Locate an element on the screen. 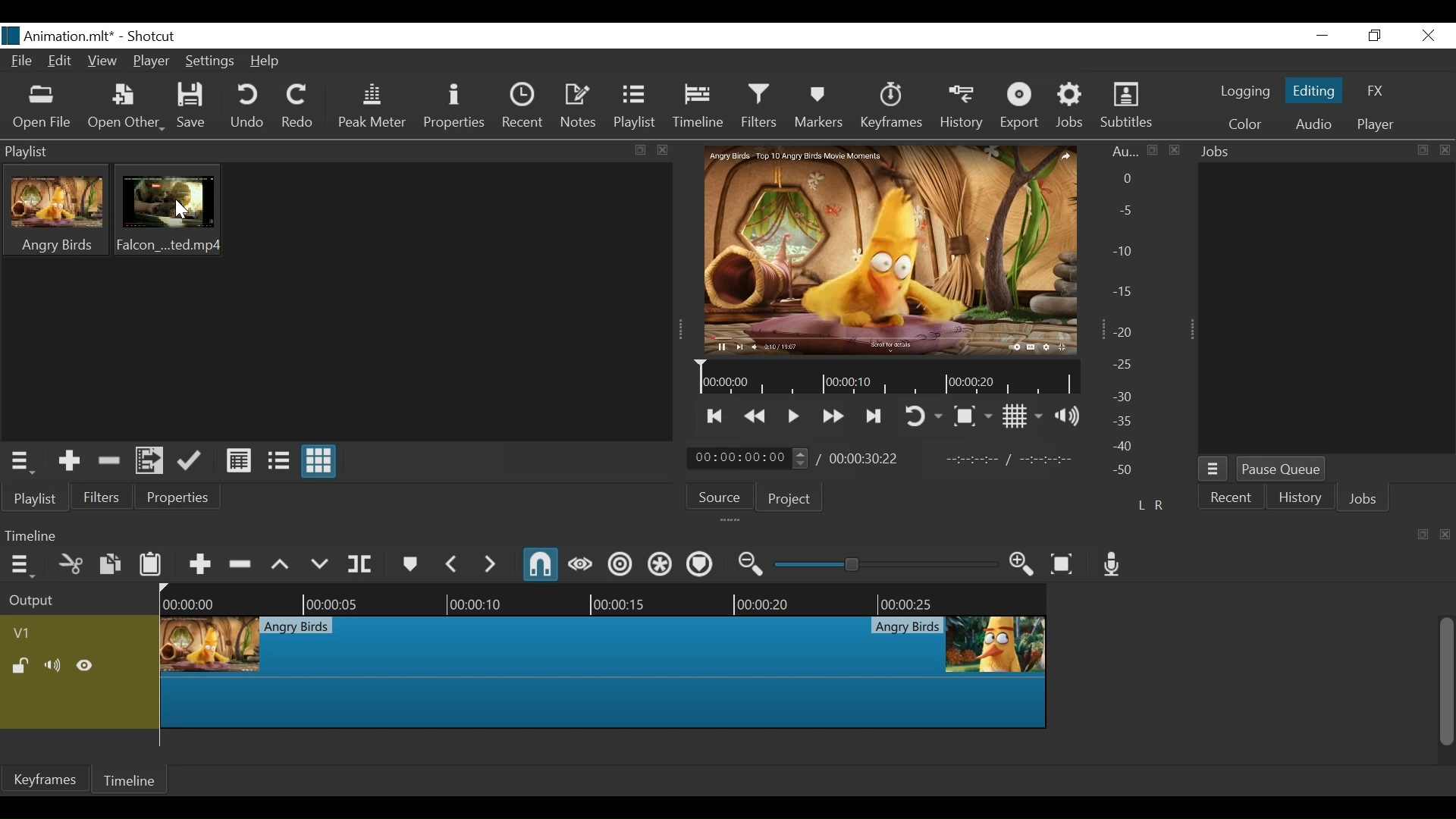 Image resolution: width=1456 pixels, height=819 pixels. Undo is located at coordinates (248, 107).